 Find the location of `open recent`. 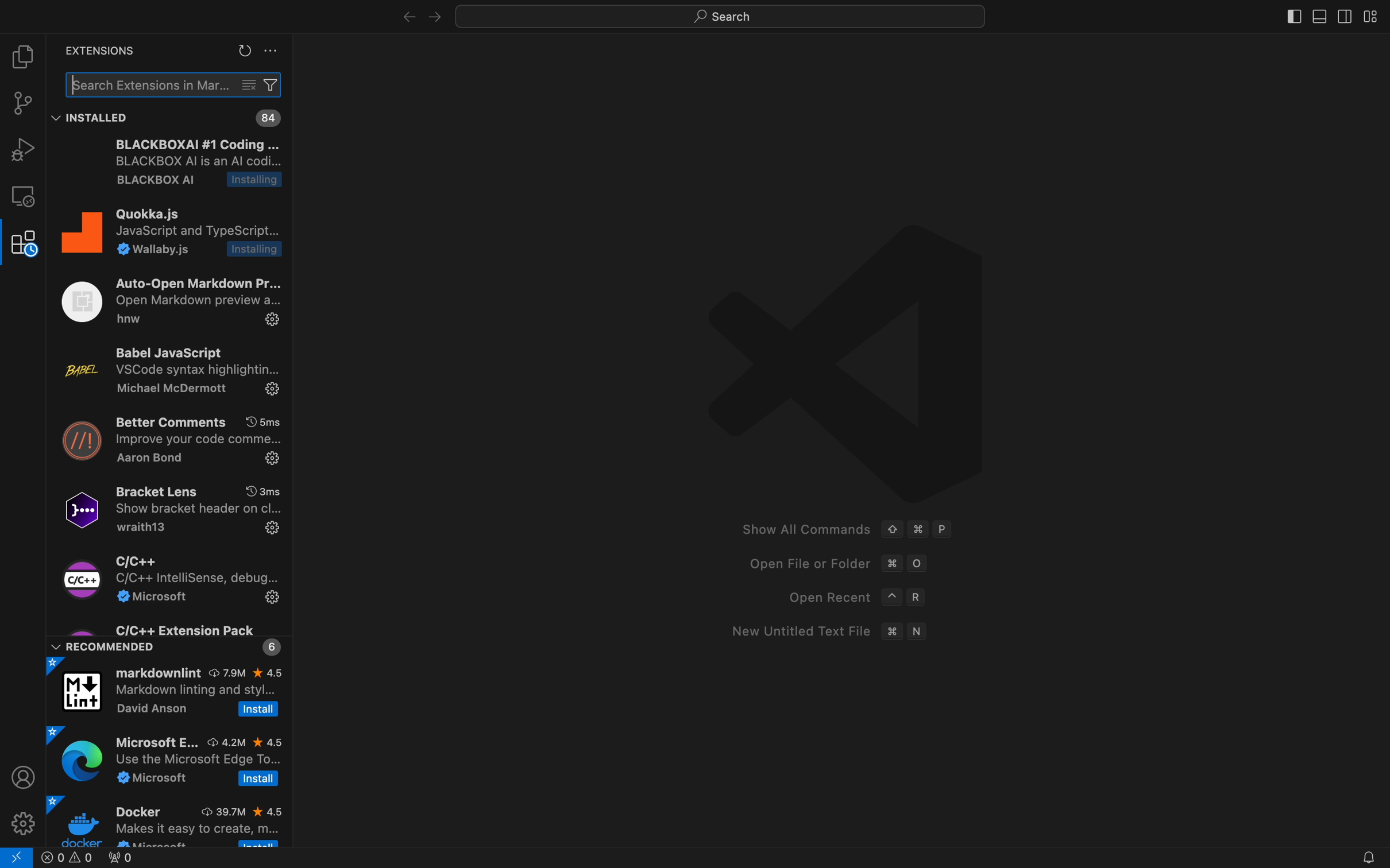

open recent is located at coordinates (850, 598).